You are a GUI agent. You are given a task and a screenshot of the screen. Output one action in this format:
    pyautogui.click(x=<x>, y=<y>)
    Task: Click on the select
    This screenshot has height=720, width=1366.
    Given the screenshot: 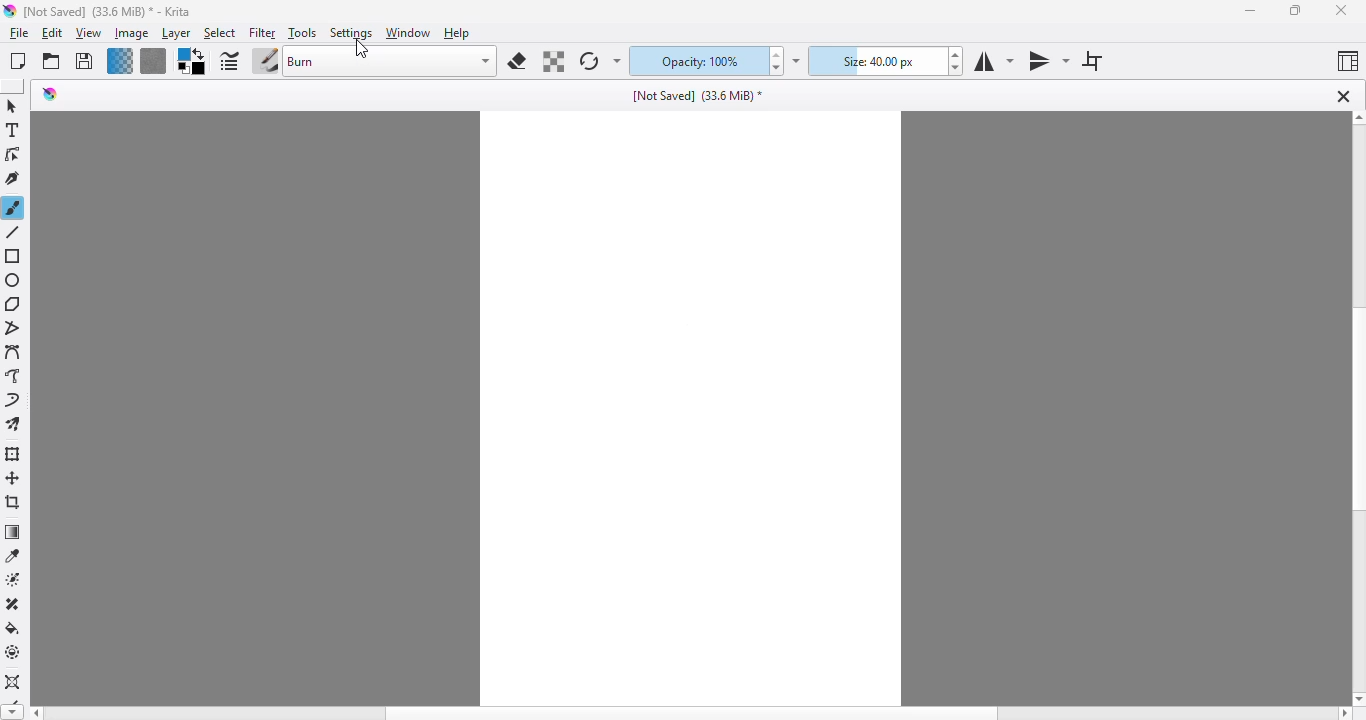 What is the action you would take?
    pyautogui.click(x=219, y=34)
    